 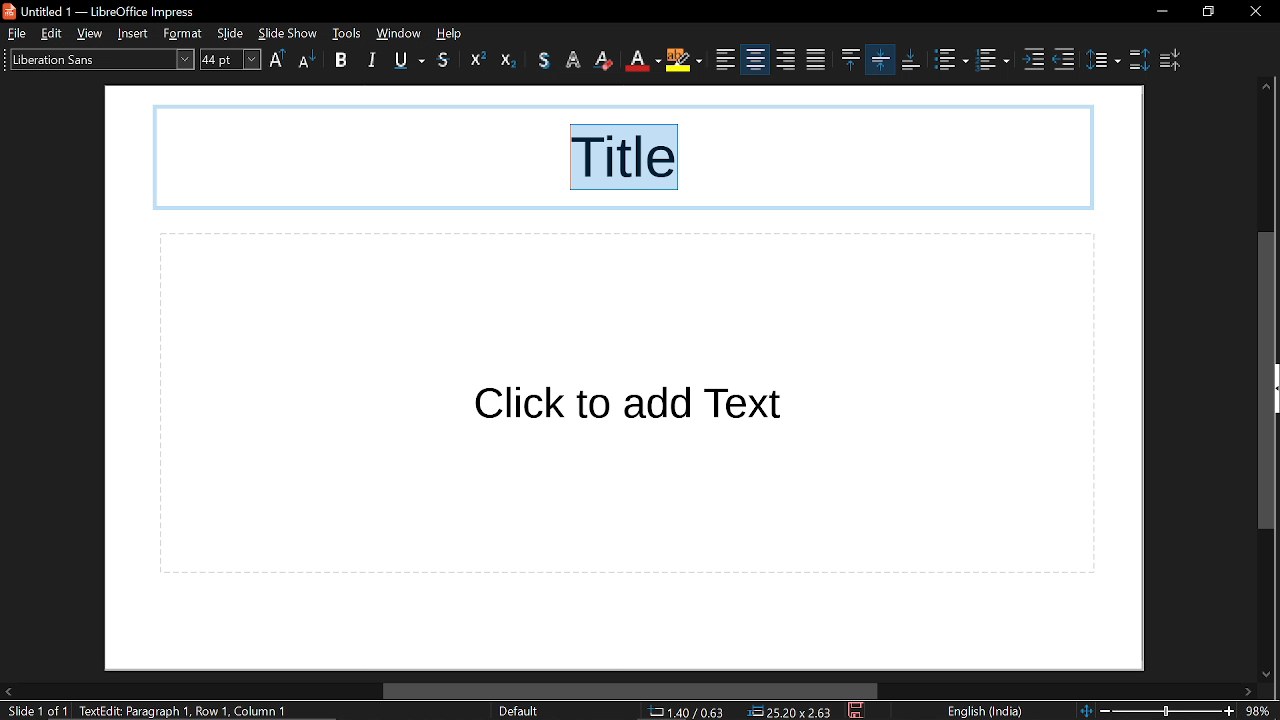 What do you see at coordinates (34, 712) in the screenshot?
I see `slide 1 of 1` at bounding box center [34, 712].